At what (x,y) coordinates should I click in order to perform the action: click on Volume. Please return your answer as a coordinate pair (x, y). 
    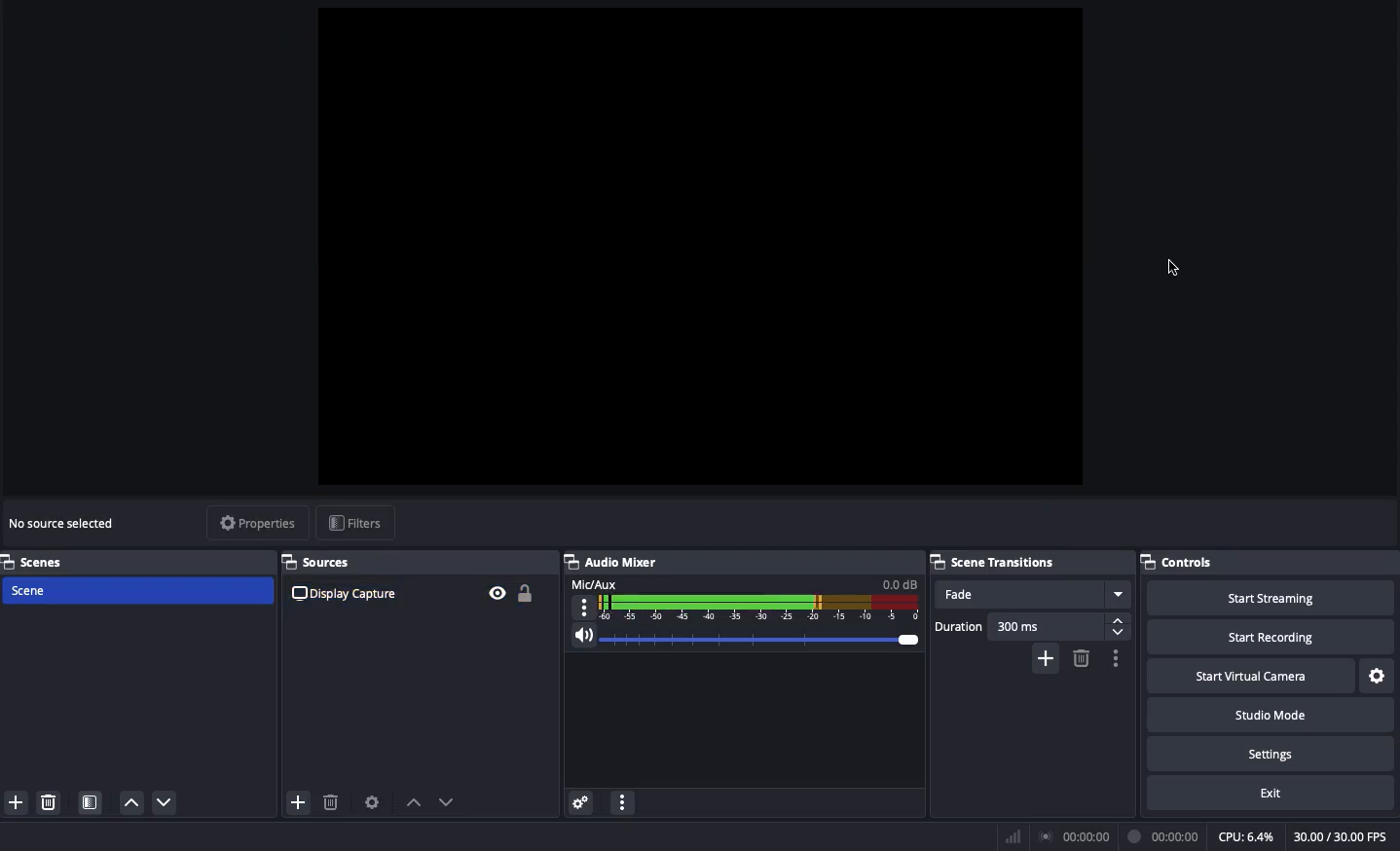
    Looking at the image, I should click on (740, 641).